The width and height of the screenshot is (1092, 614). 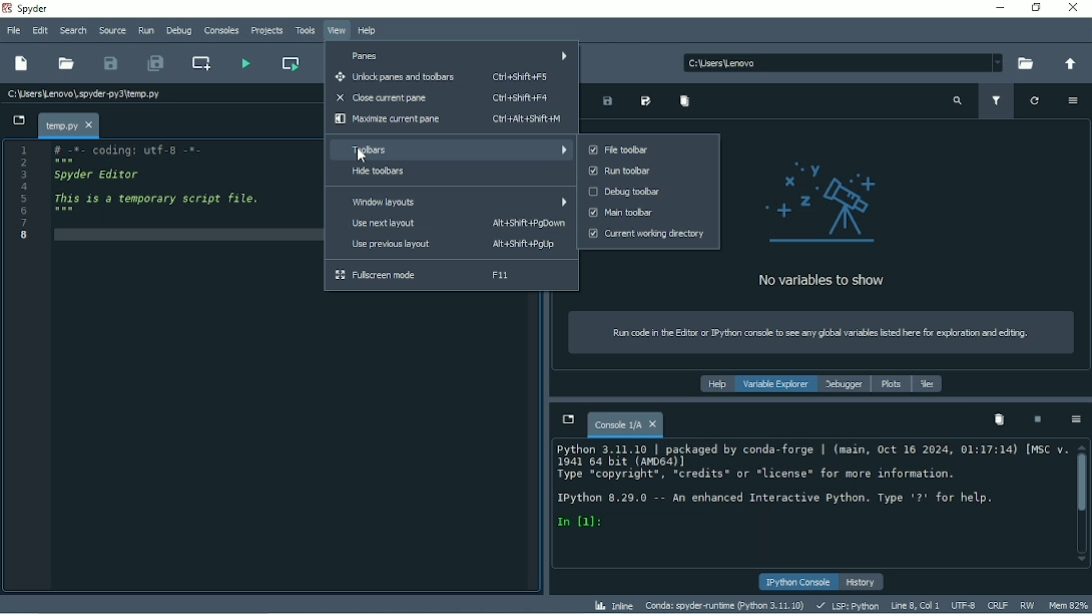 I want to click on Instruction, so click(x=814, y=333).